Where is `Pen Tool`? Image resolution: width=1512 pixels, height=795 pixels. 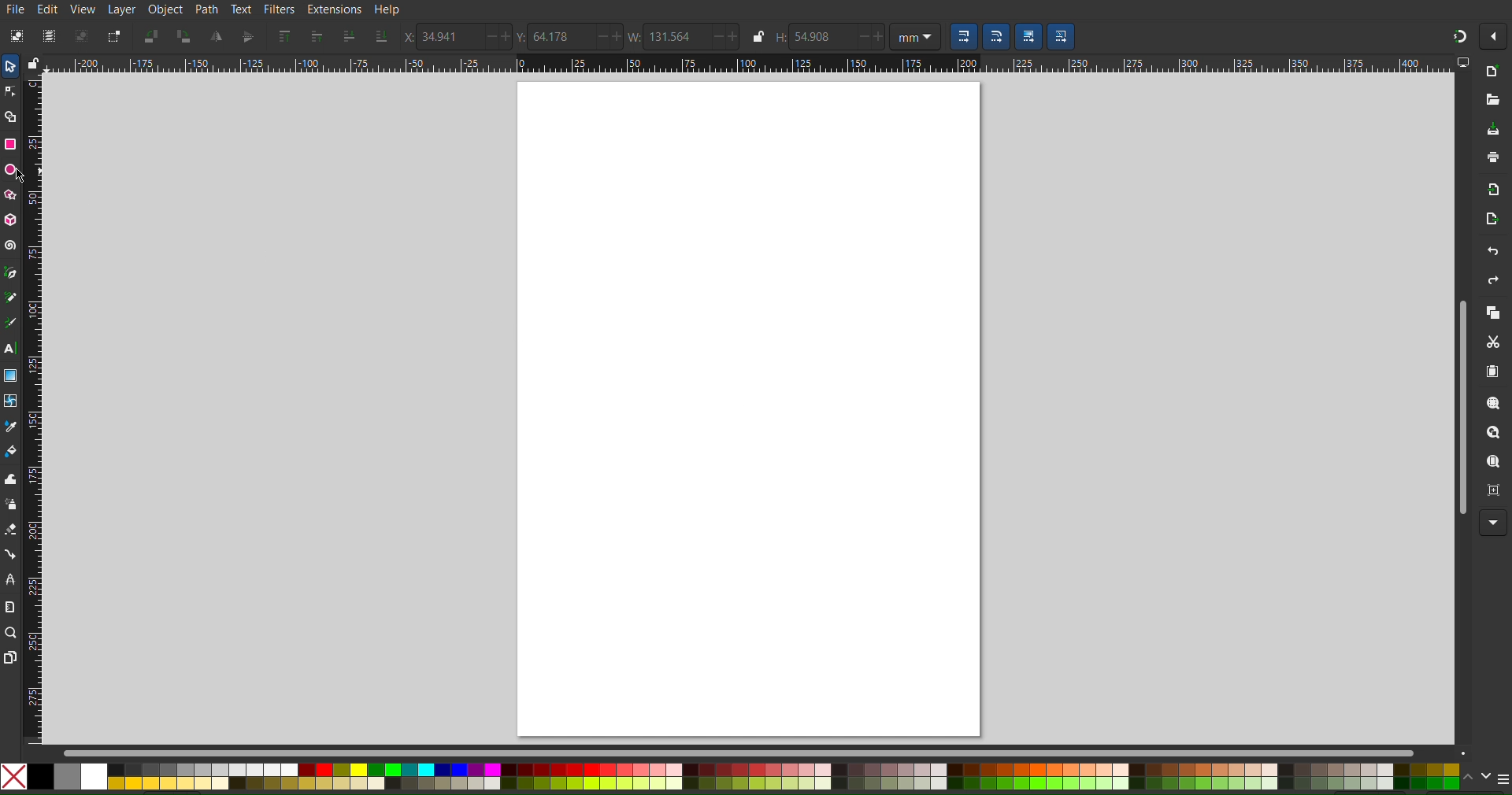 Pen Tool is located at coordinates (9, 272).